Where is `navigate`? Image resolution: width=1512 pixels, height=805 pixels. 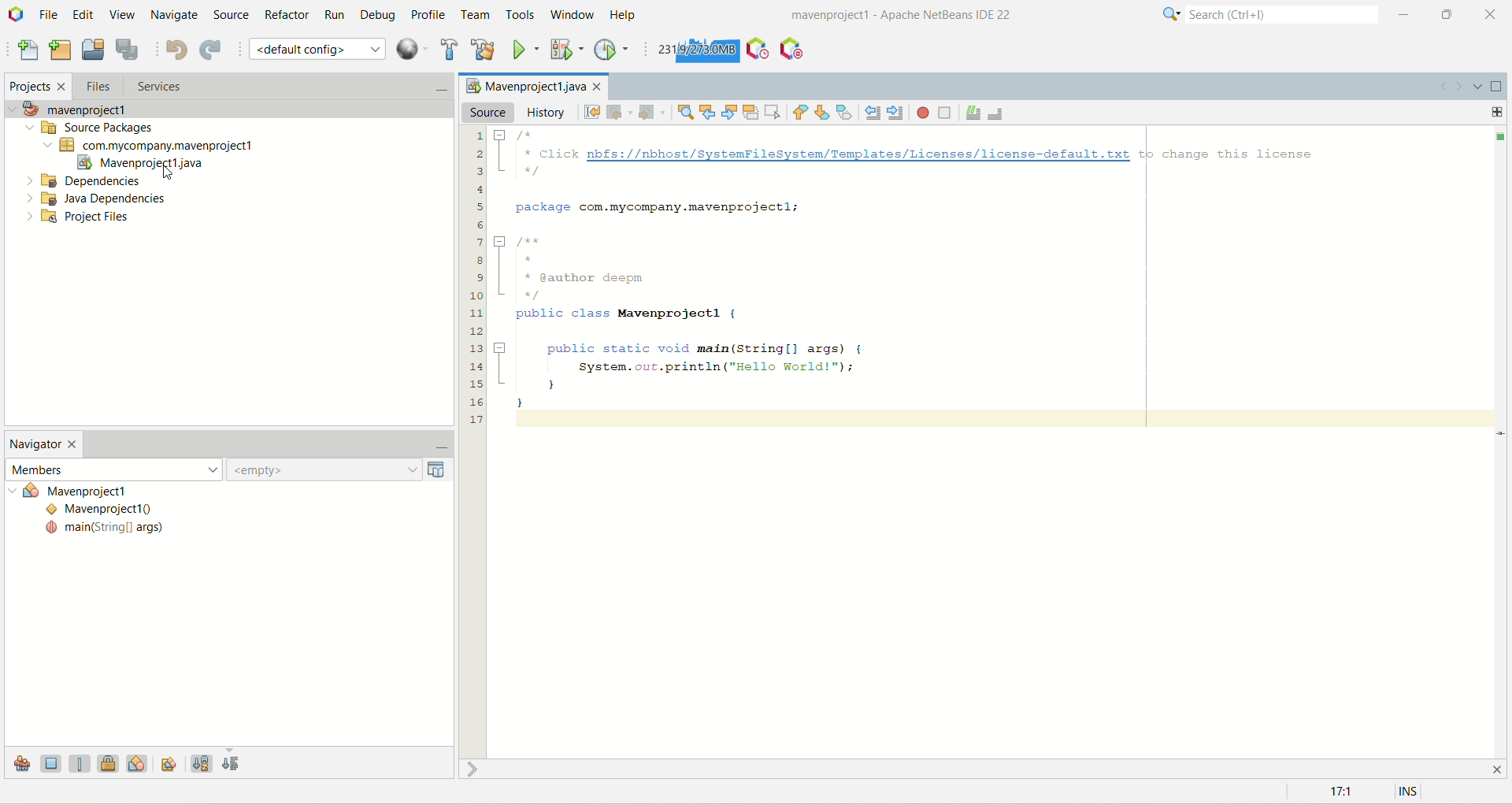 navigate is located at coordinates (173, 16).